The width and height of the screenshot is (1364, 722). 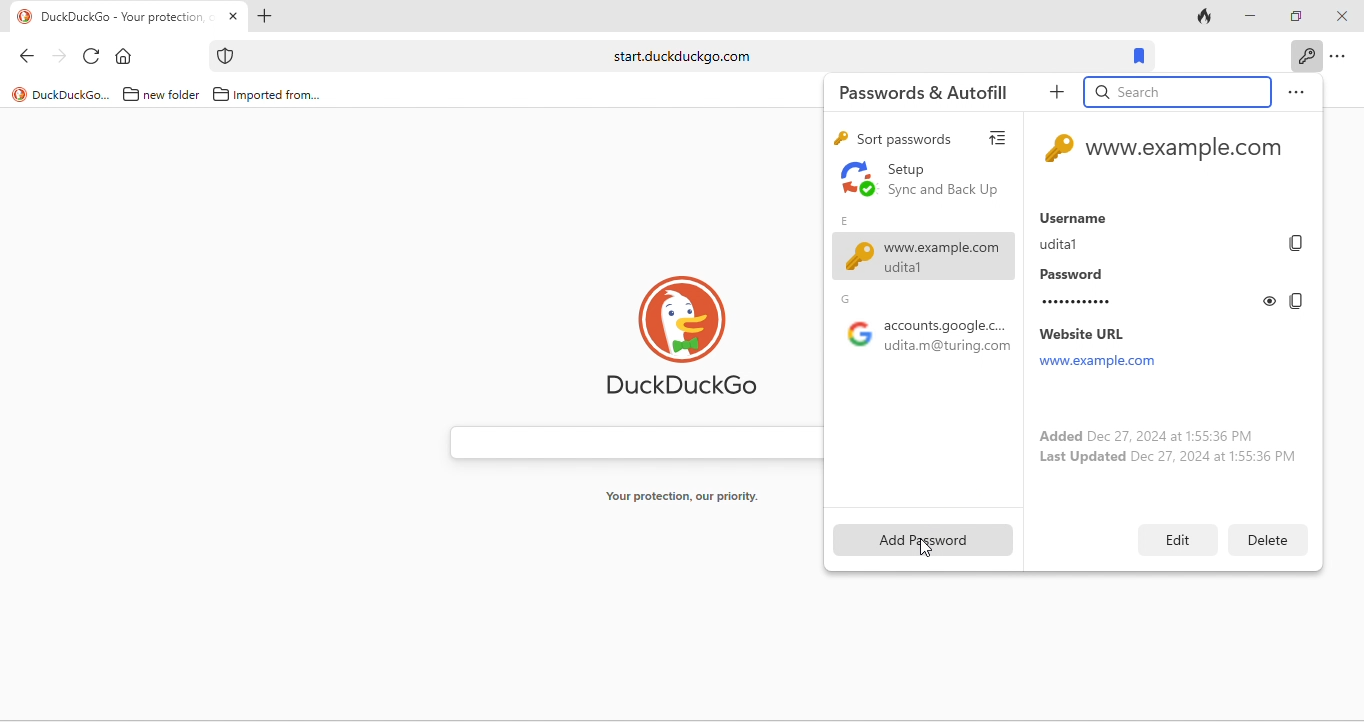 I want to click on maximize, so click(x=1292, y=14).